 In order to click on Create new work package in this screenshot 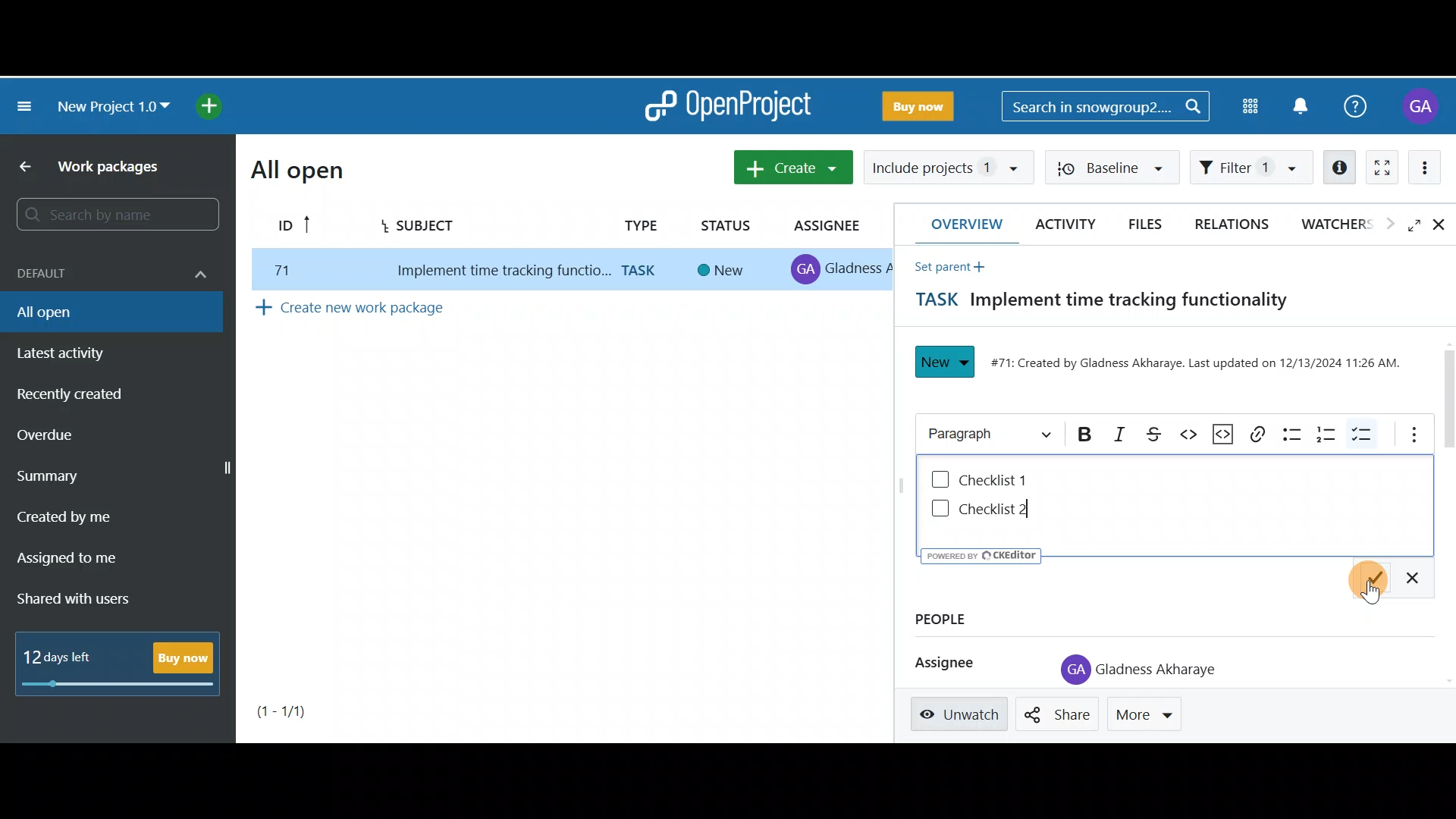, I will do `click(390, 311)`.